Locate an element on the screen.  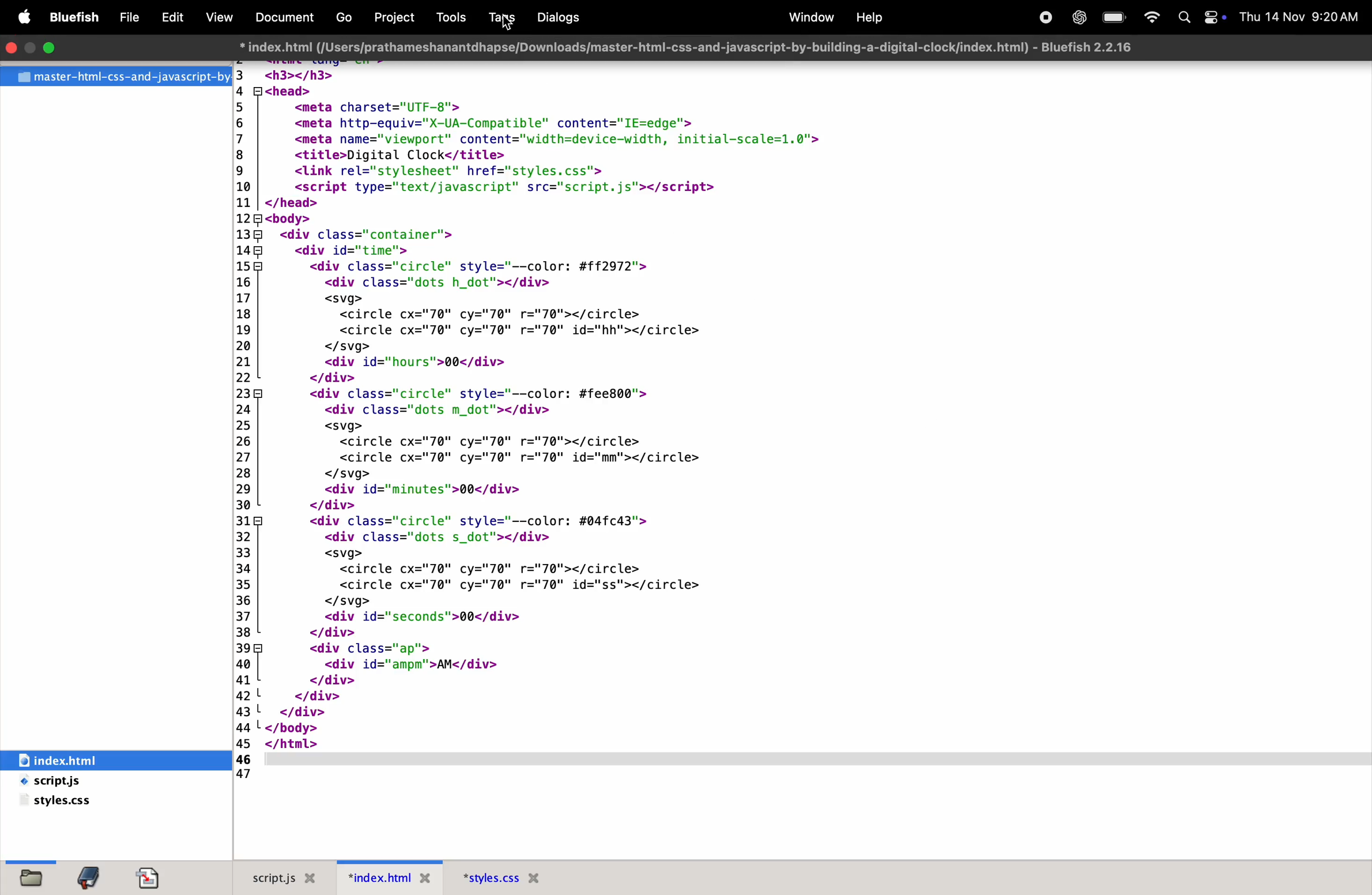
Script.js is located at coordinates (282, 877).